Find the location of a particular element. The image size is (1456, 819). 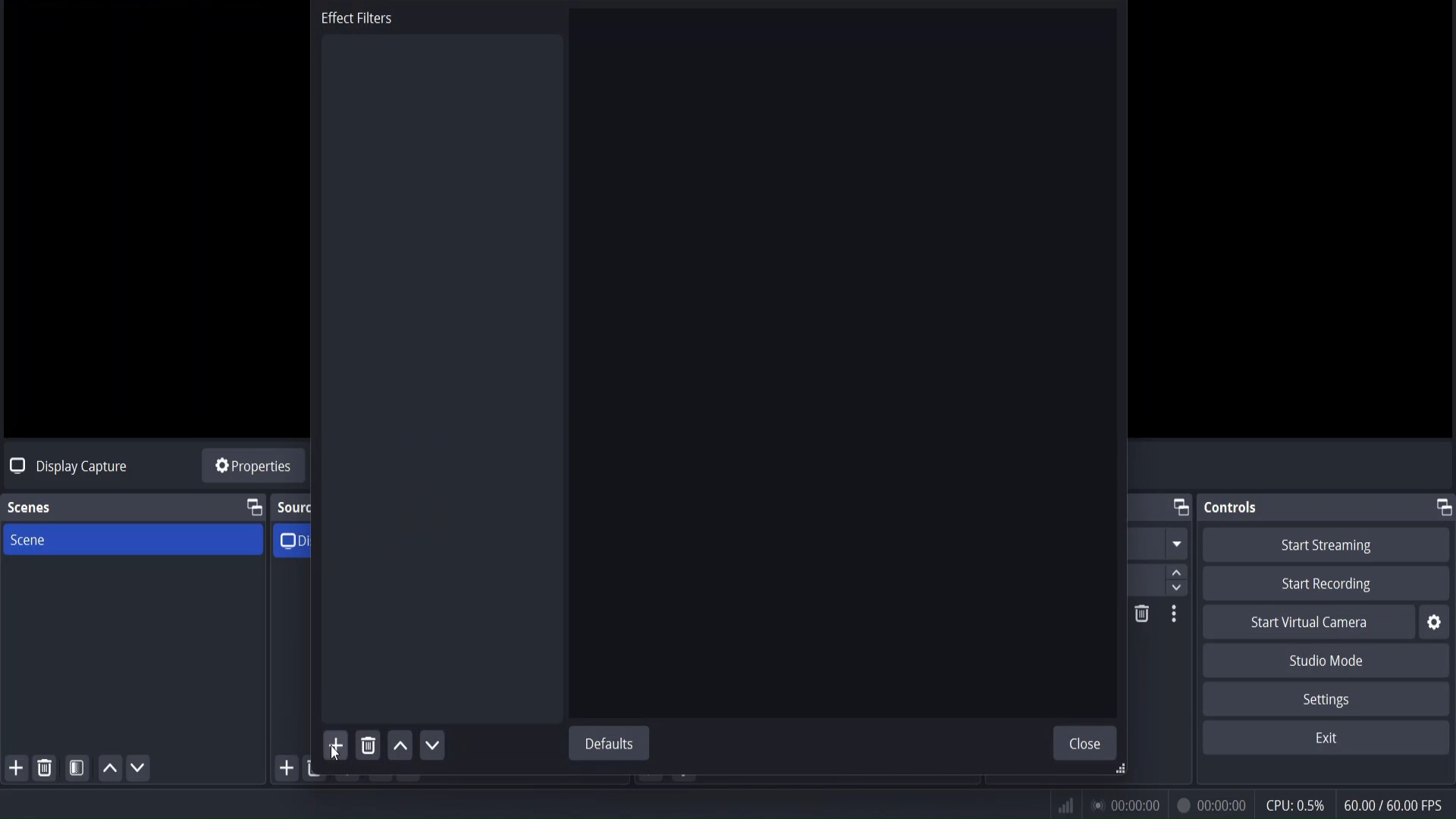

close is located at coordinates (1088, 743).